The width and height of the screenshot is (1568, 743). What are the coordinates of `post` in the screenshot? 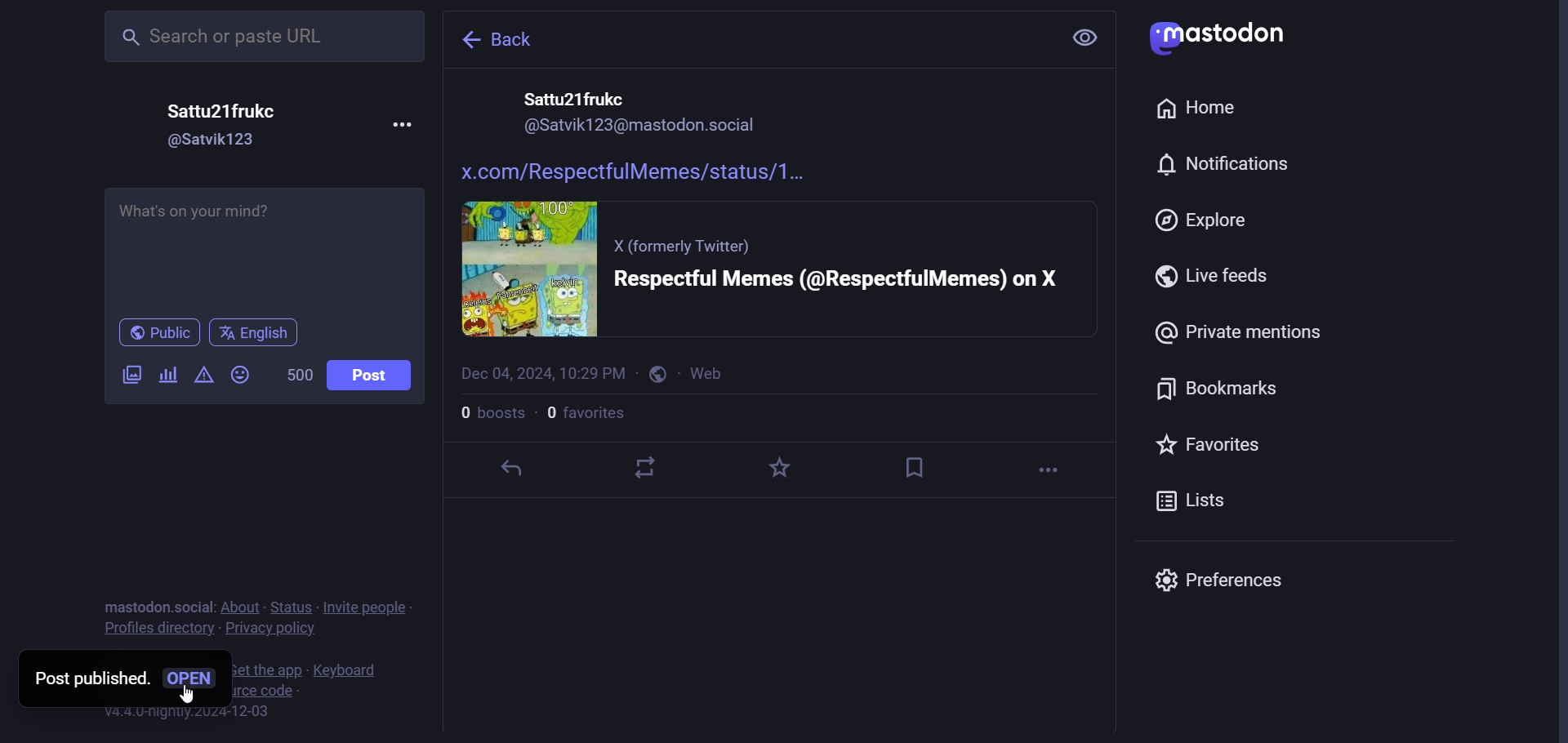 It's located at (368, 376).